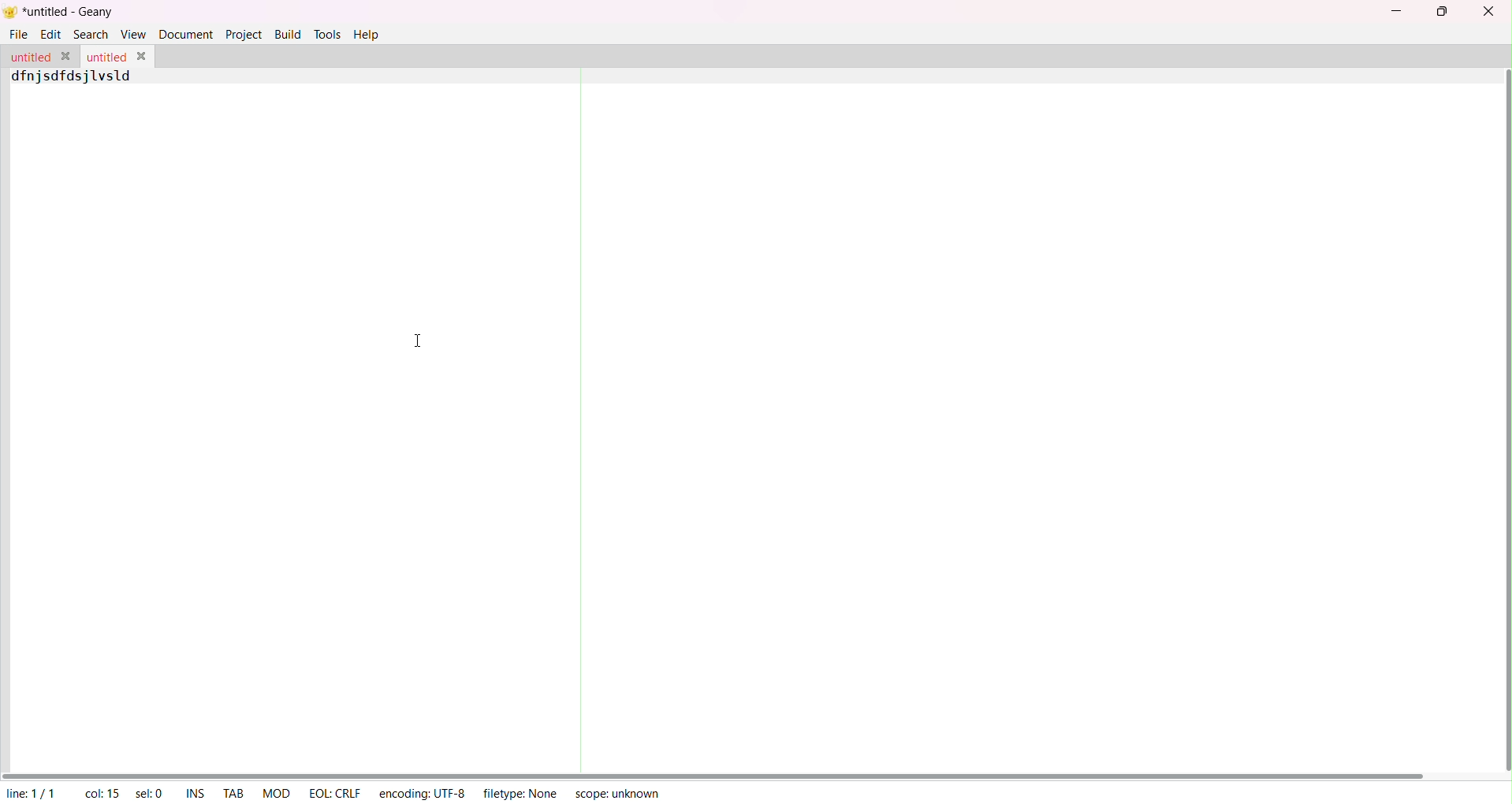  What do you see at coordinates (413, 339) in the screenshot?
I see `cursor` at bounding box center [413, 339].